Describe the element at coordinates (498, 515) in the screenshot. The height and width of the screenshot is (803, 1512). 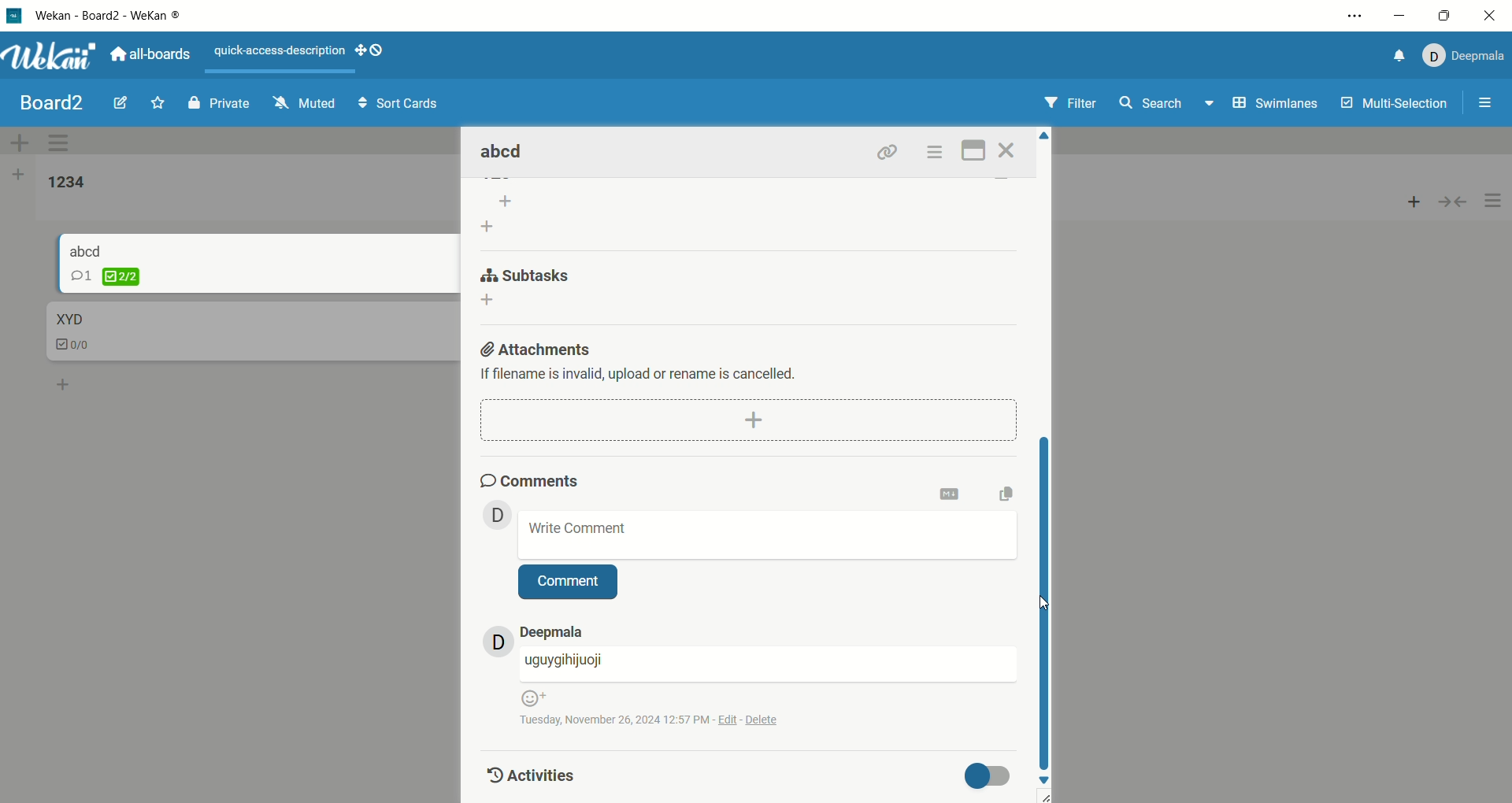
I see `avatar` at that location.